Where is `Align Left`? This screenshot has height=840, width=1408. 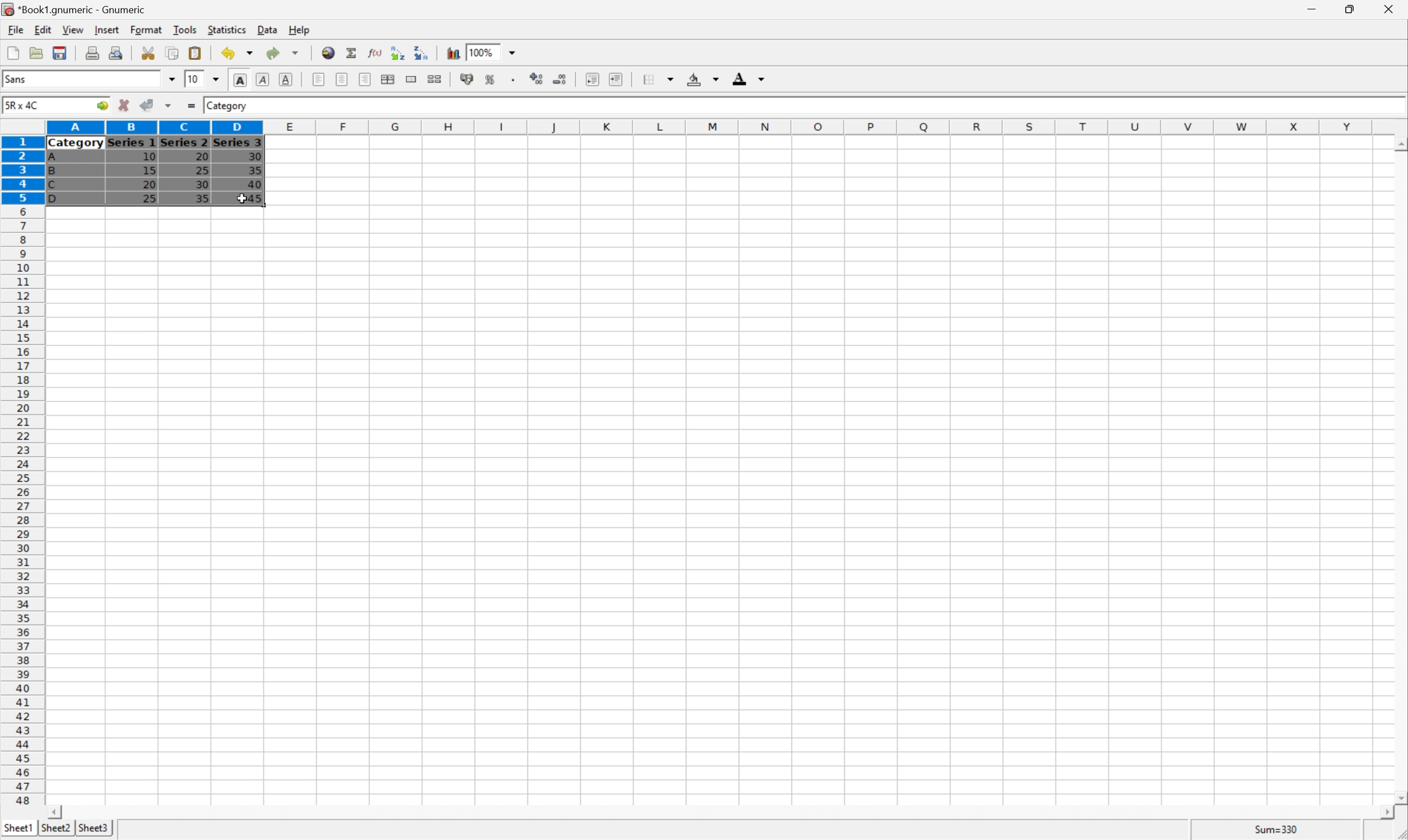 Align Left is located at coordinates (317, 77).